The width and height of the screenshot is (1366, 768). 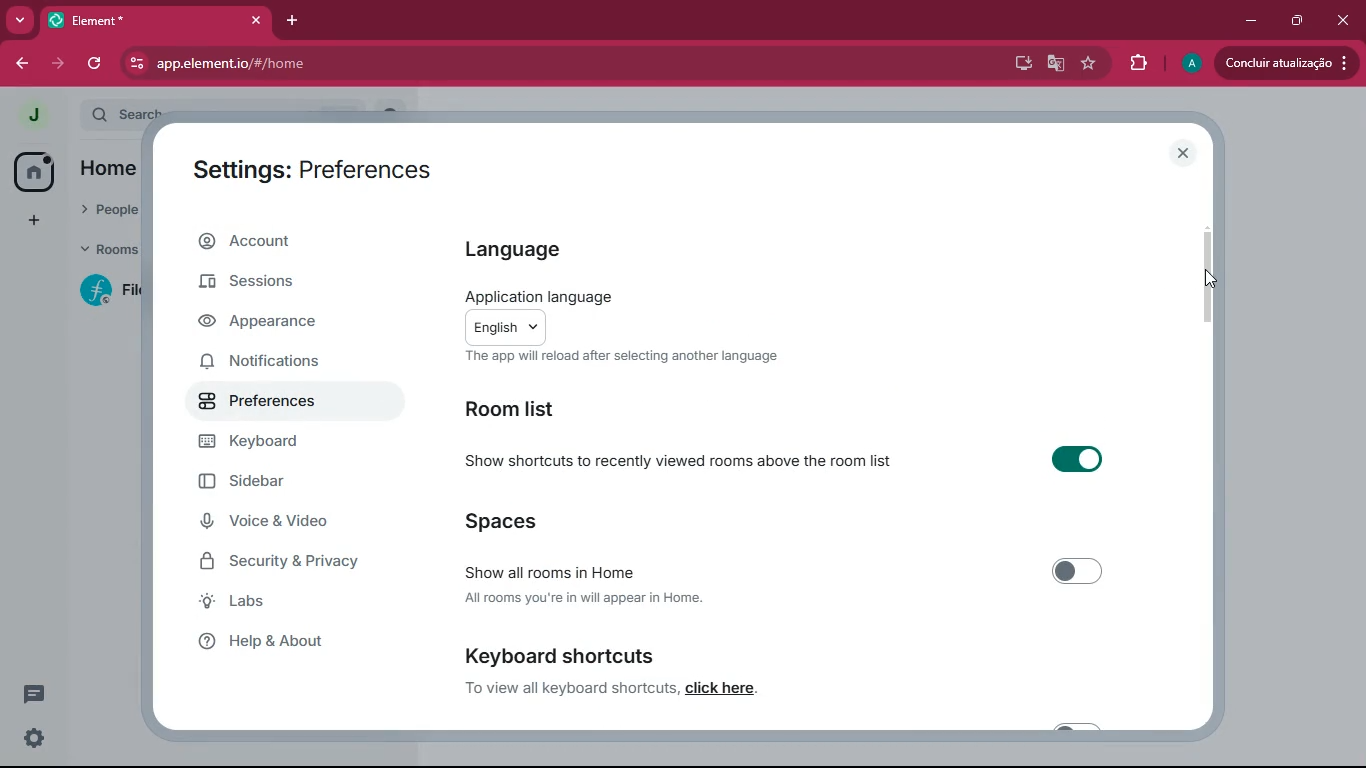 What do you see at coordinates (779, 571) in the screenshot?
I see `Show all rooms in Home` at bounding box center [779, 571].